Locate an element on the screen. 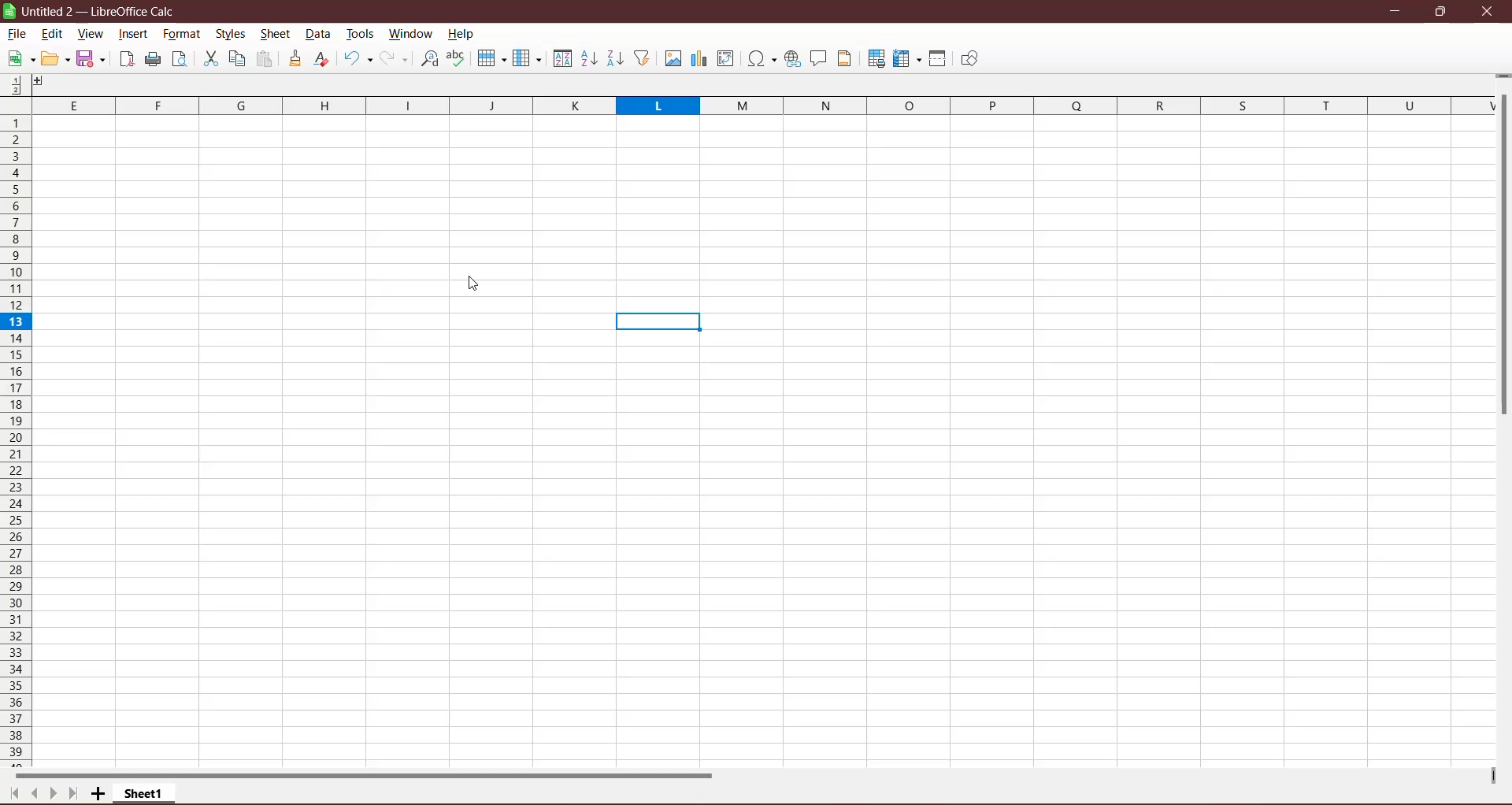  Split Windows is located at coordinates (938, 58).